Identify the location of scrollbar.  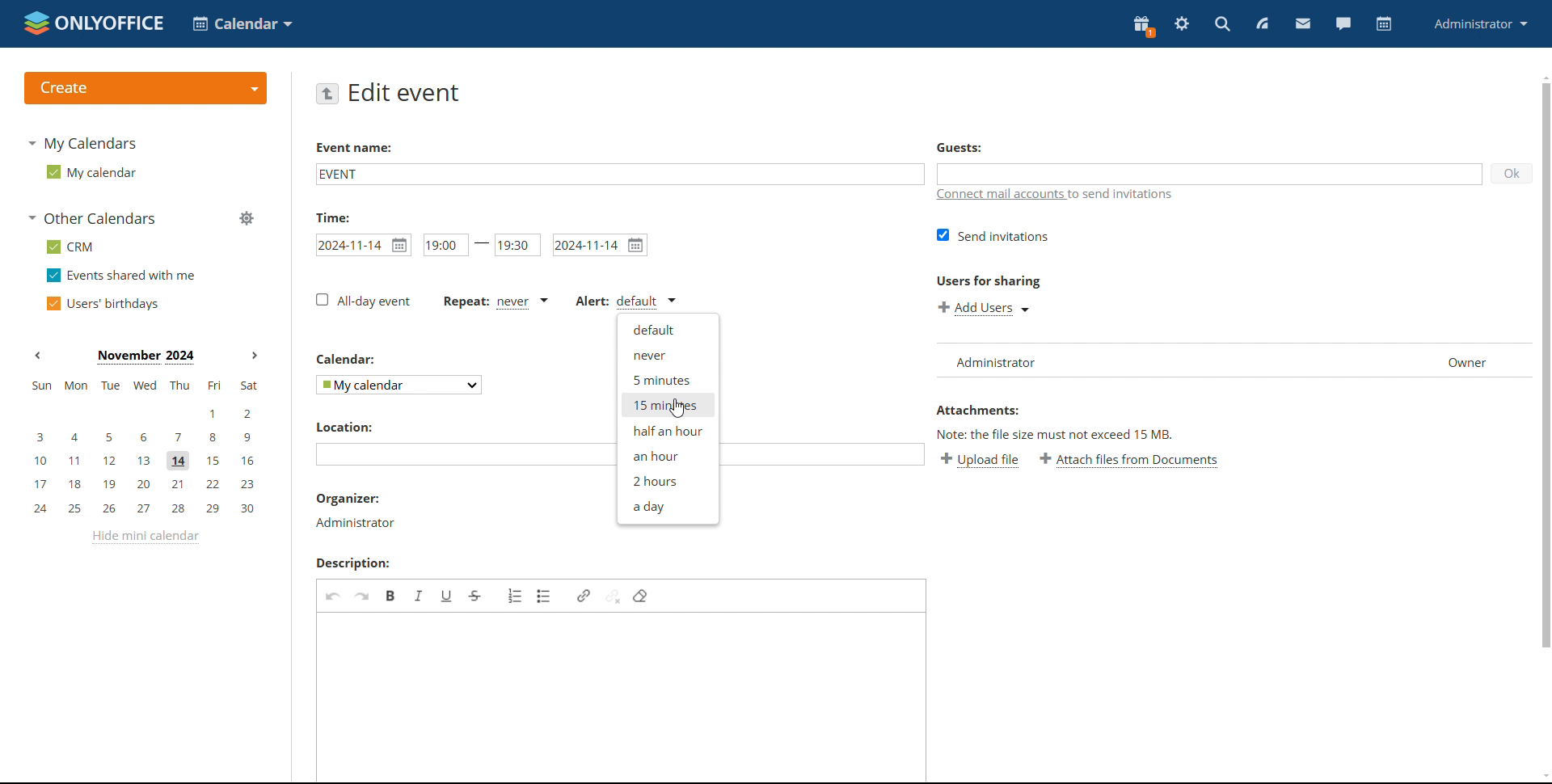
(1542, 375).